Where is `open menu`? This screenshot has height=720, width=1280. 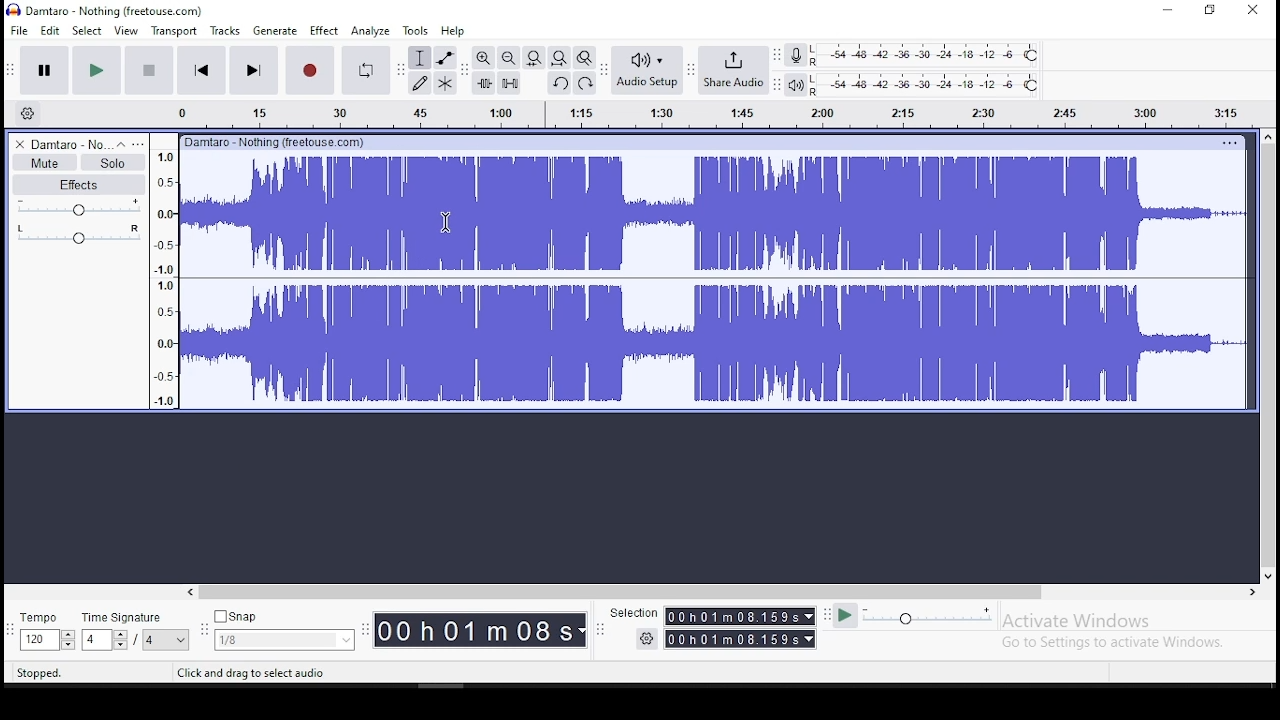
open menu is located at coordinates (141, 142).